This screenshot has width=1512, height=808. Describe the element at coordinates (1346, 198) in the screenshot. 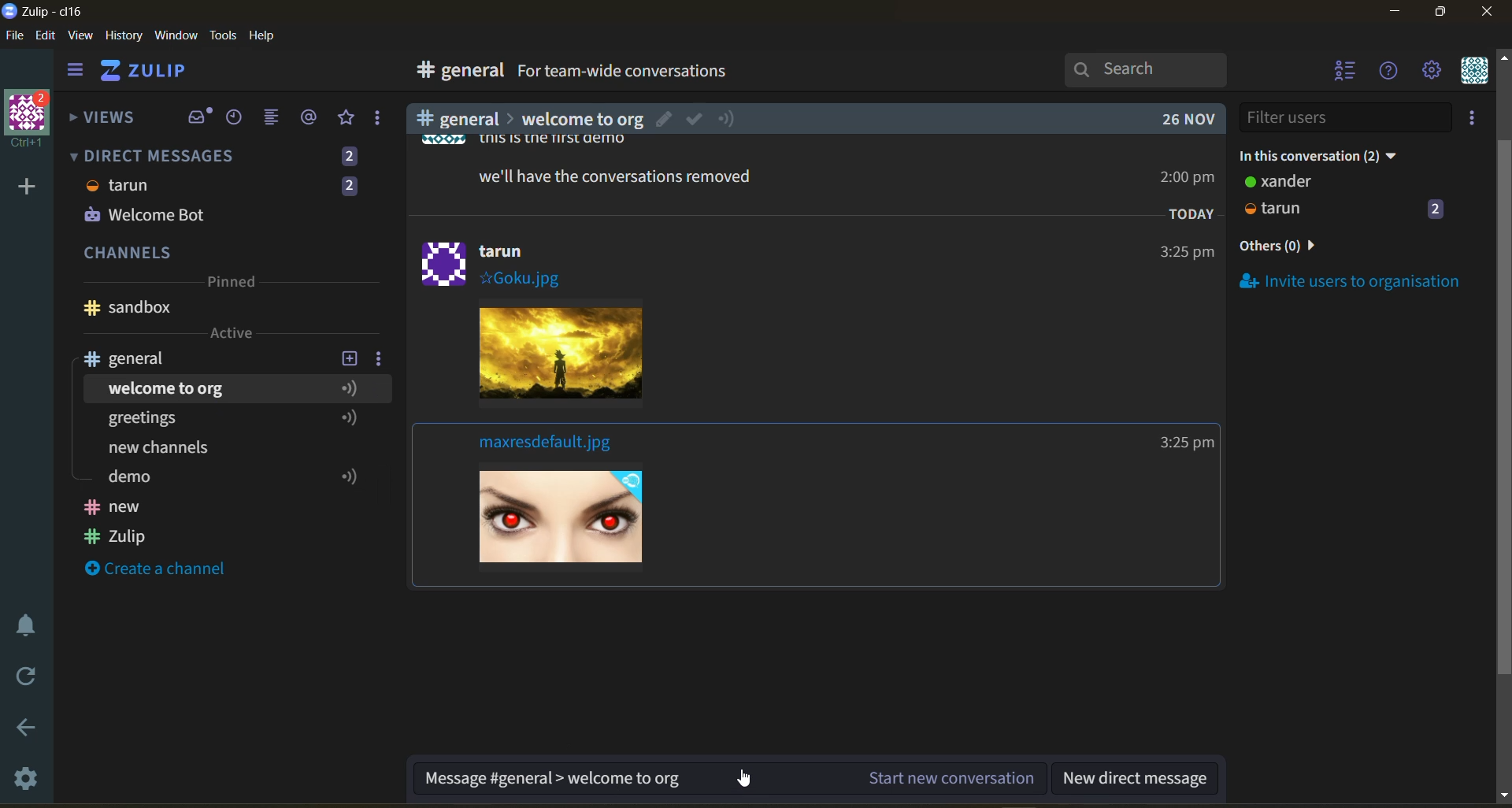

I see `users and status` at that location.